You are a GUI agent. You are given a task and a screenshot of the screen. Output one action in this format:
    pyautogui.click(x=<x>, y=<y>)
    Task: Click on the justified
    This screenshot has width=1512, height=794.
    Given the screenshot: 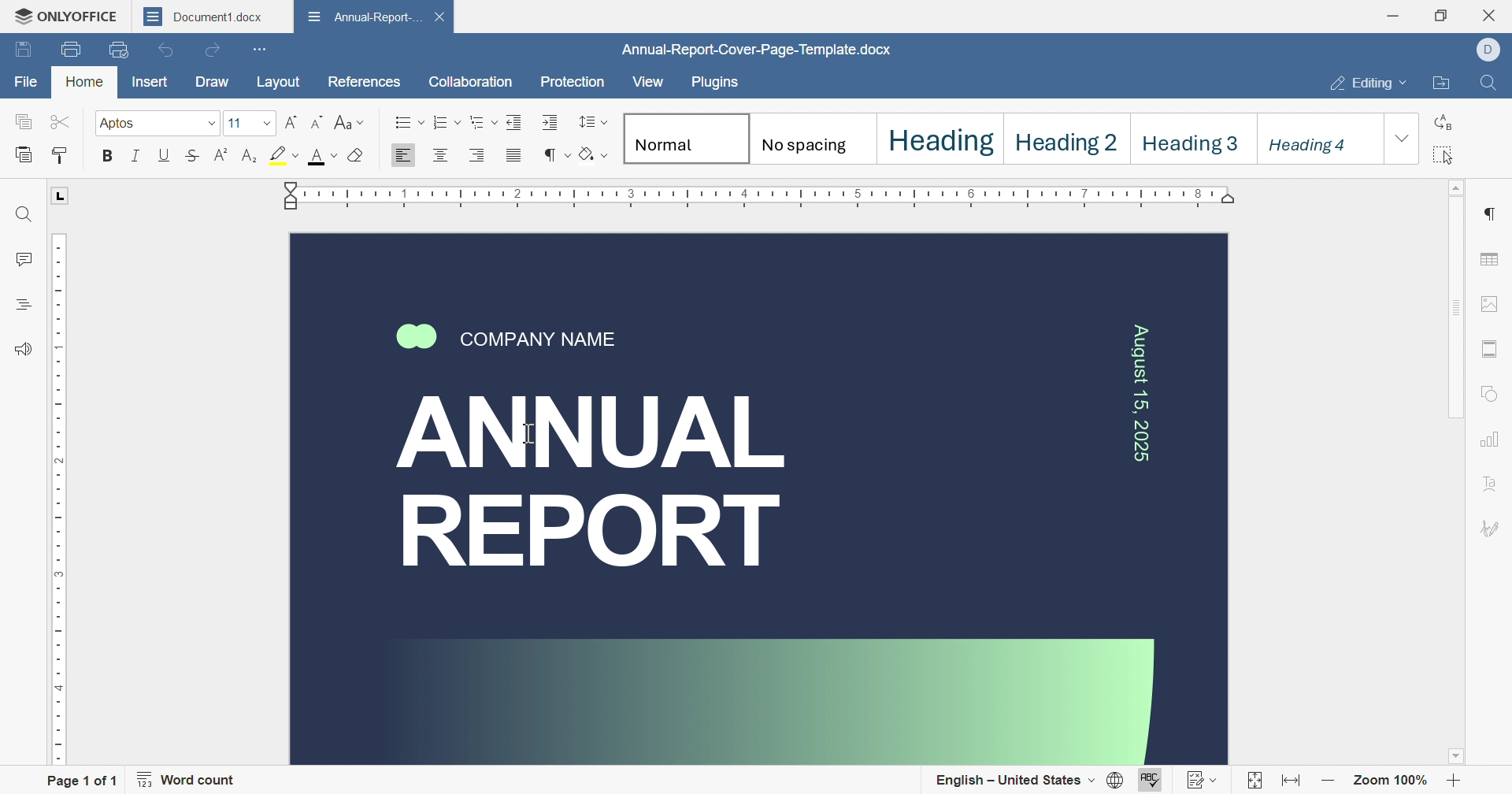 What is the action you would take?
    pyautogui.click(x=518, y=157)
    